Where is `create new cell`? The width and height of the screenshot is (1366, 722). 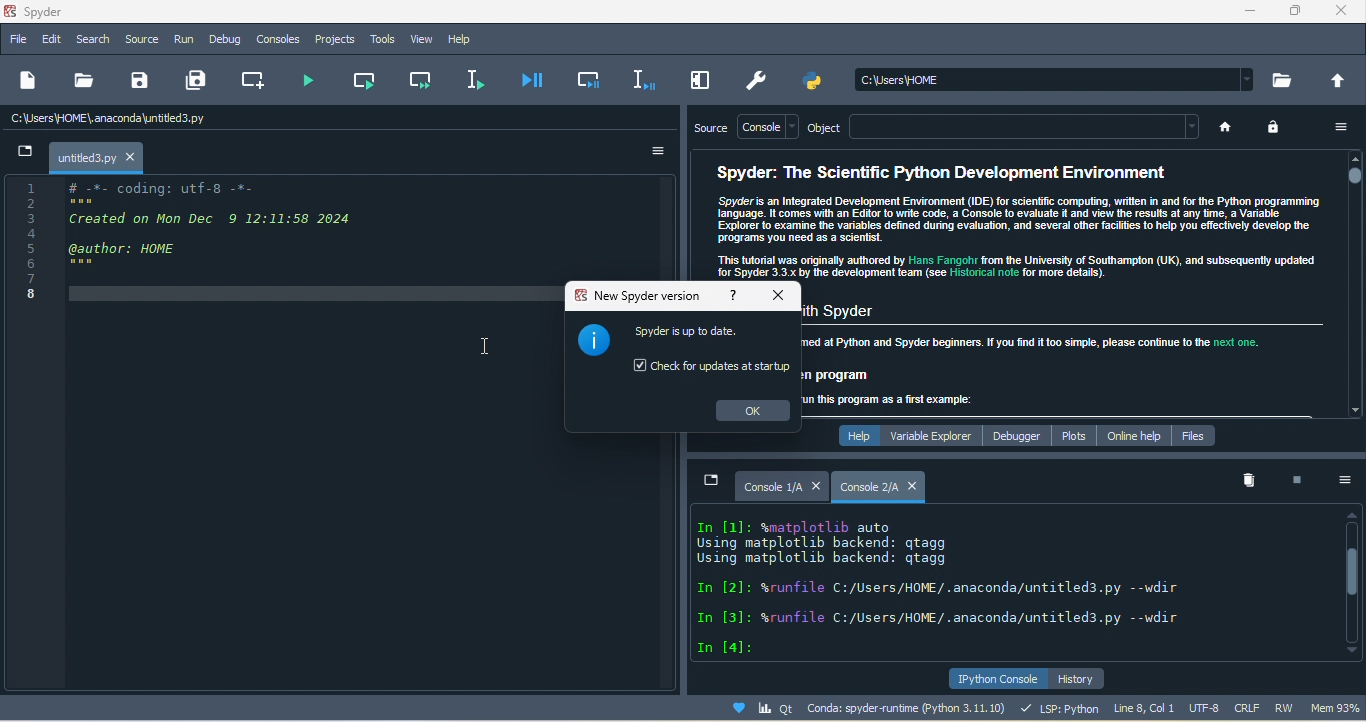
create new cell is located at coordinates (256, 79).